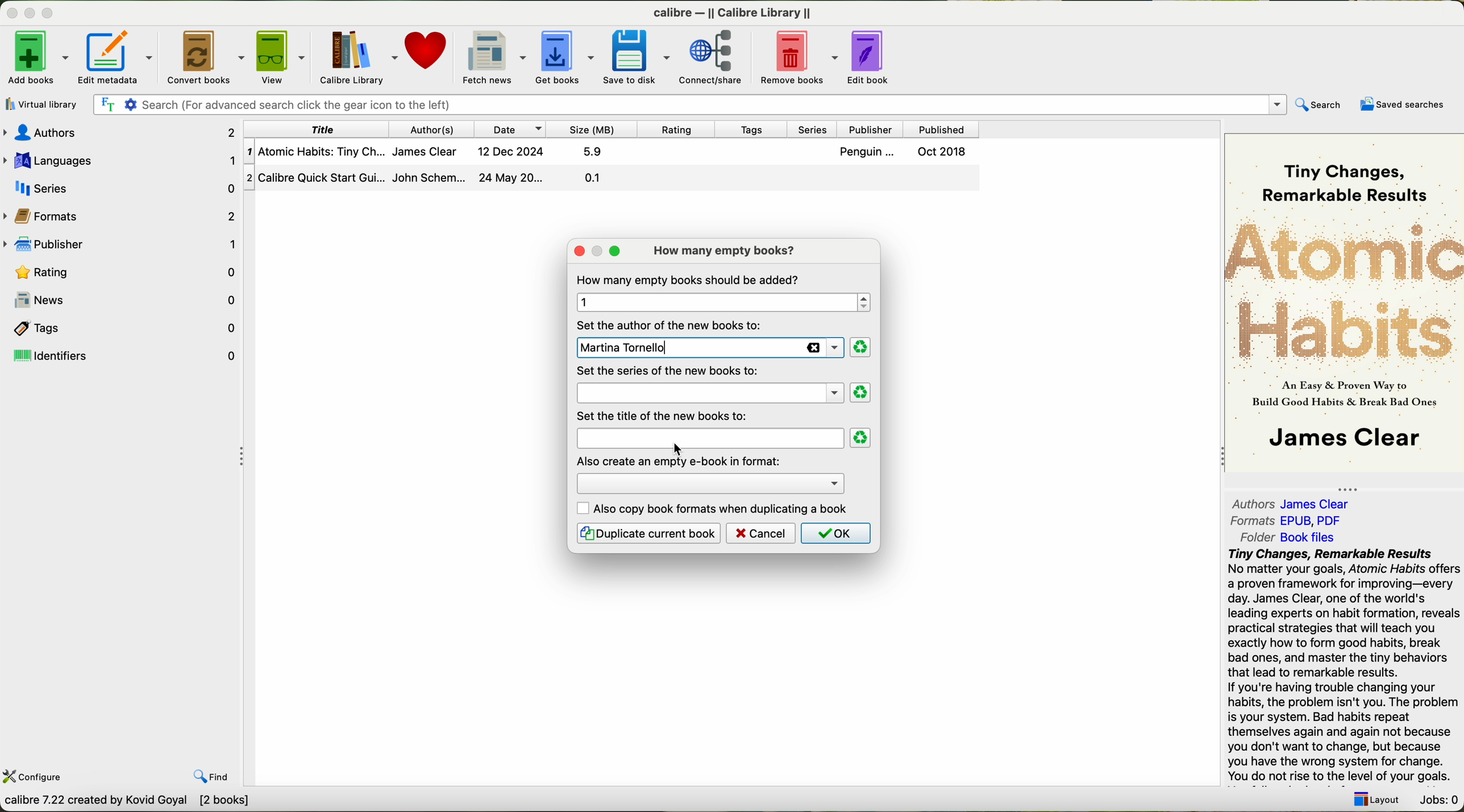  I want to click on duplicate current book, so click(648, 533).